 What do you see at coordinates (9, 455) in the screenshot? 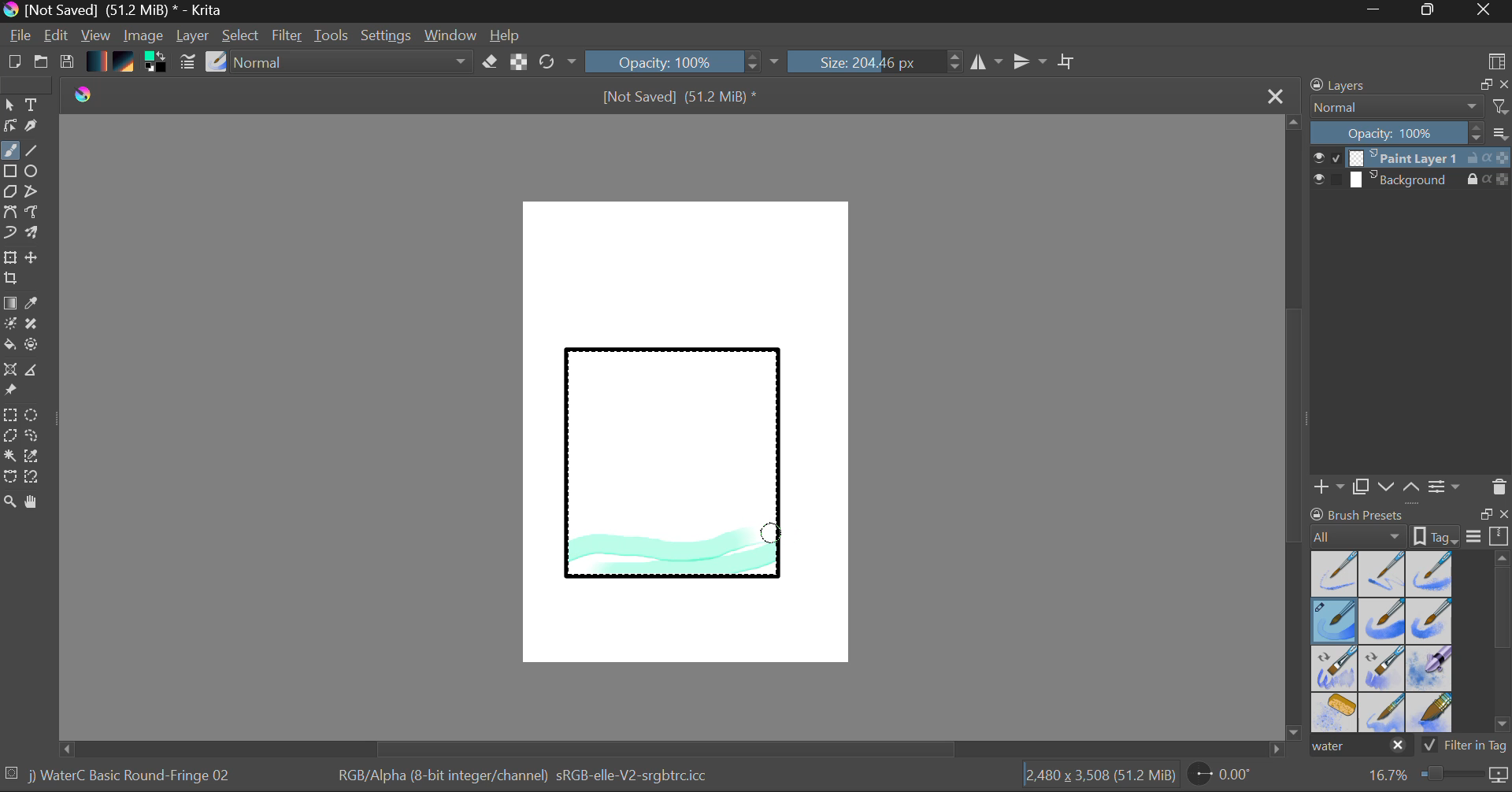
I see `Continuous Selection` at bounding box center [9, 455].